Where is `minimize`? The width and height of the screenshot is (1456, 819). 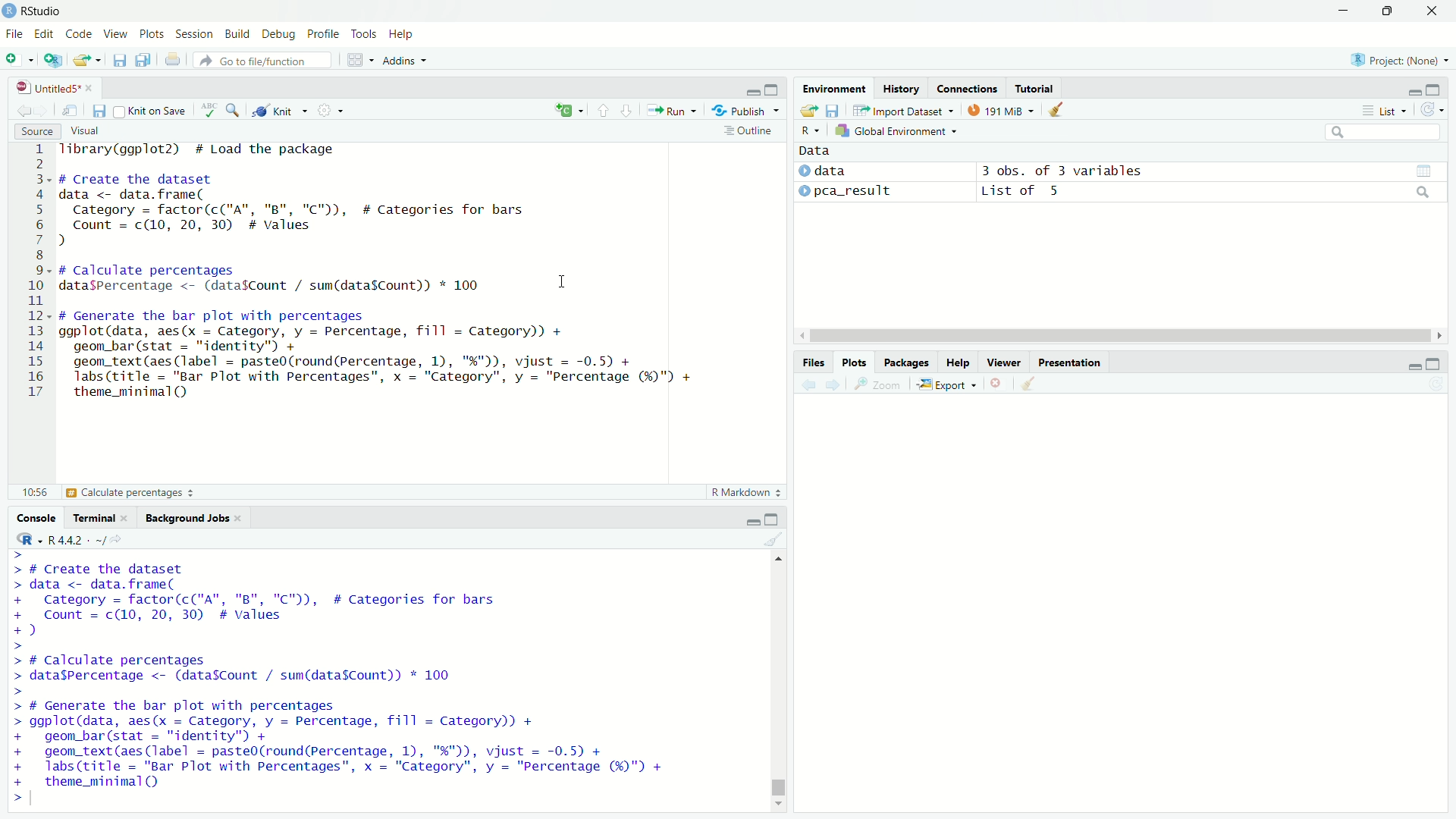 minimize is located at coordinates (1413, 363).